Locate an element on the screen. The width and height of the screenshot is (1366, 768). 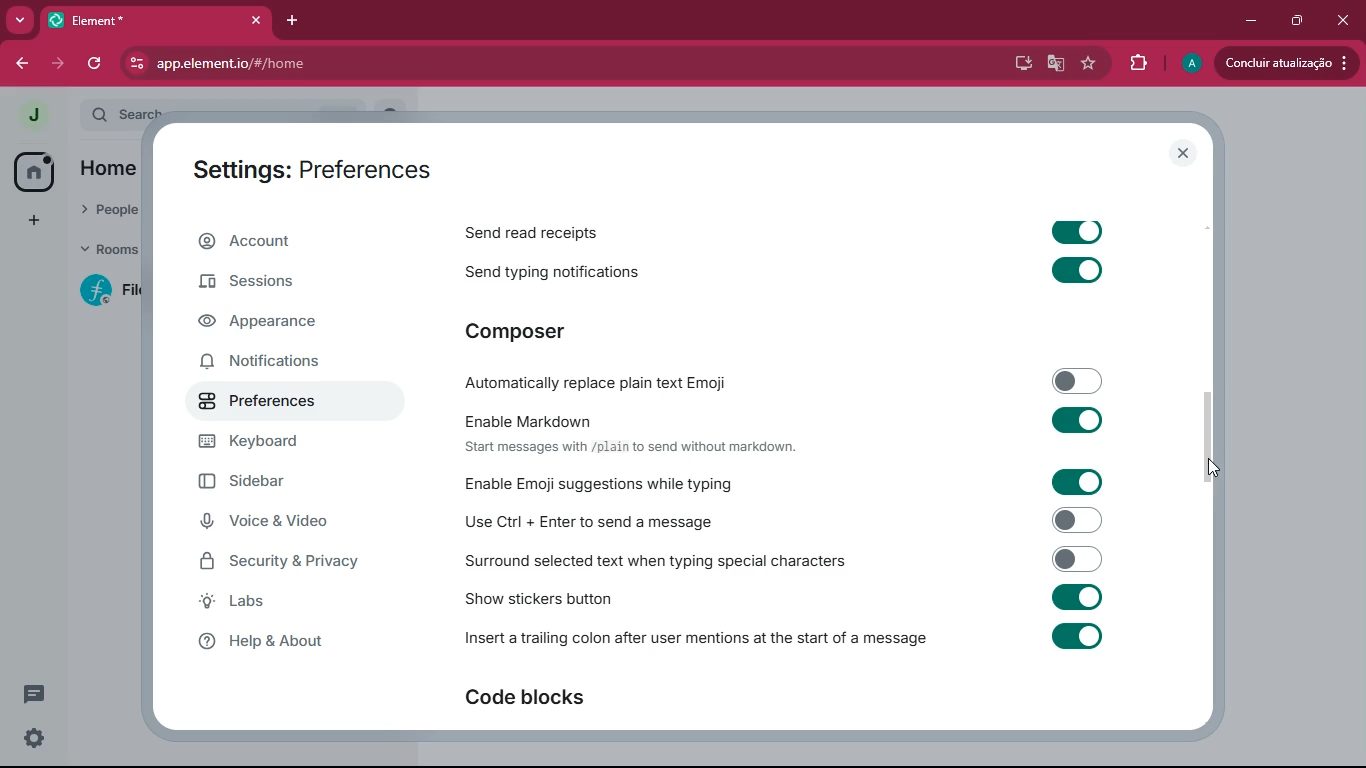
add is located at coordinates (32, 220).